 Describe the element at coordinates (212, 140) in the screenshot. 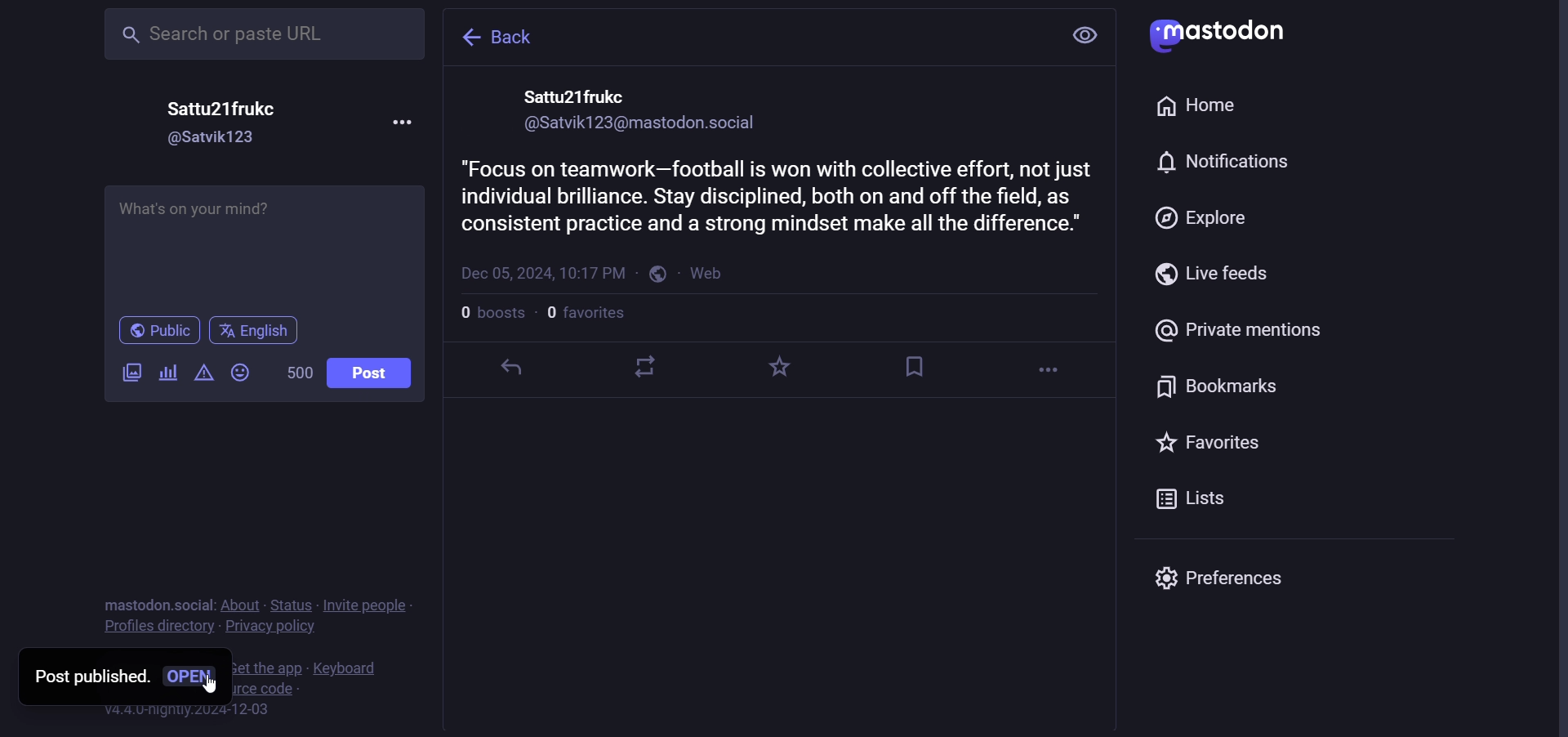

I see `id` at that location.